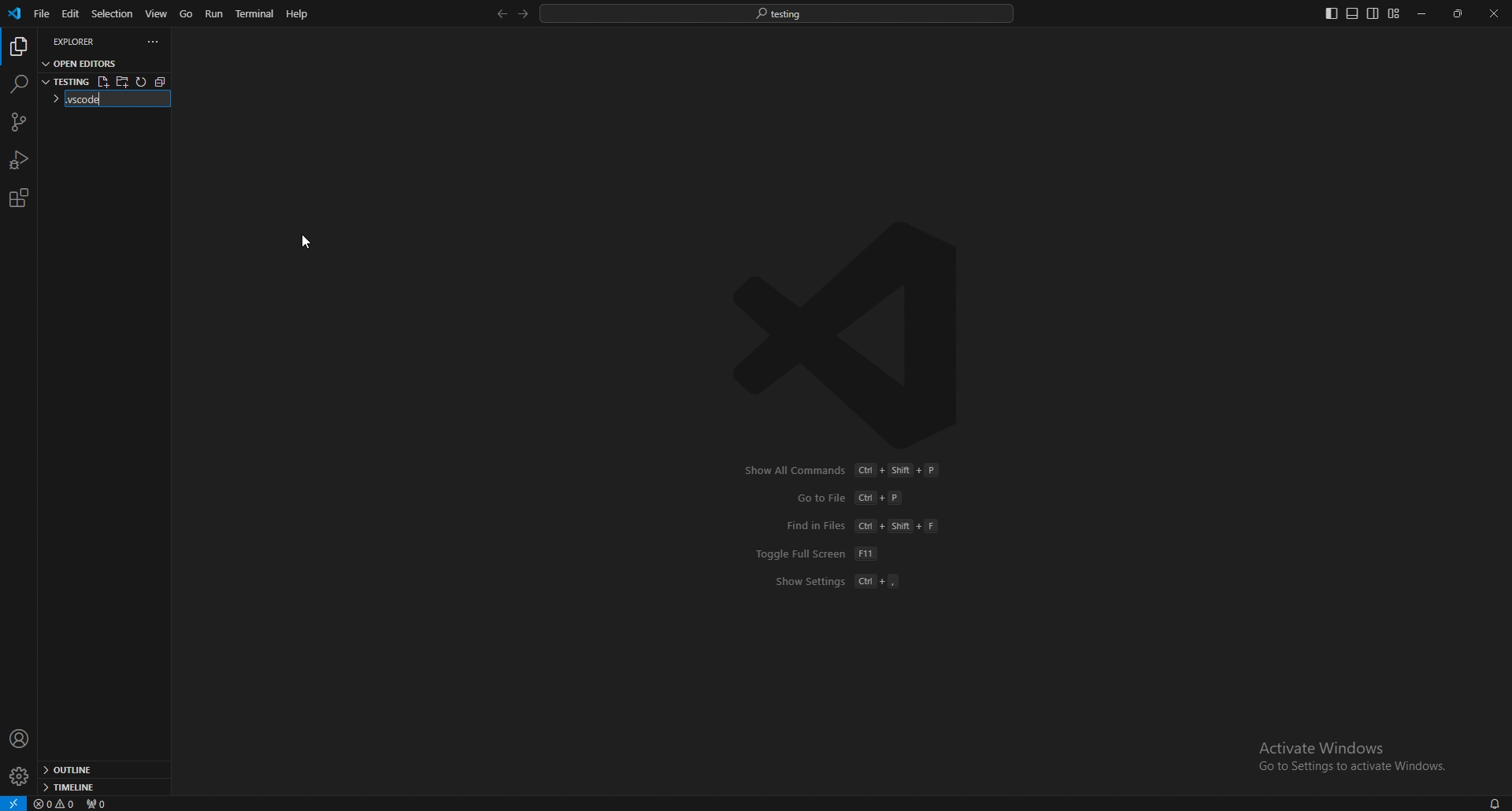 The width and height of the screenshot is (1512, 811). Describe the element at coordinates (103, 804) in the screenshot. I see `ports forwarded` at that location.